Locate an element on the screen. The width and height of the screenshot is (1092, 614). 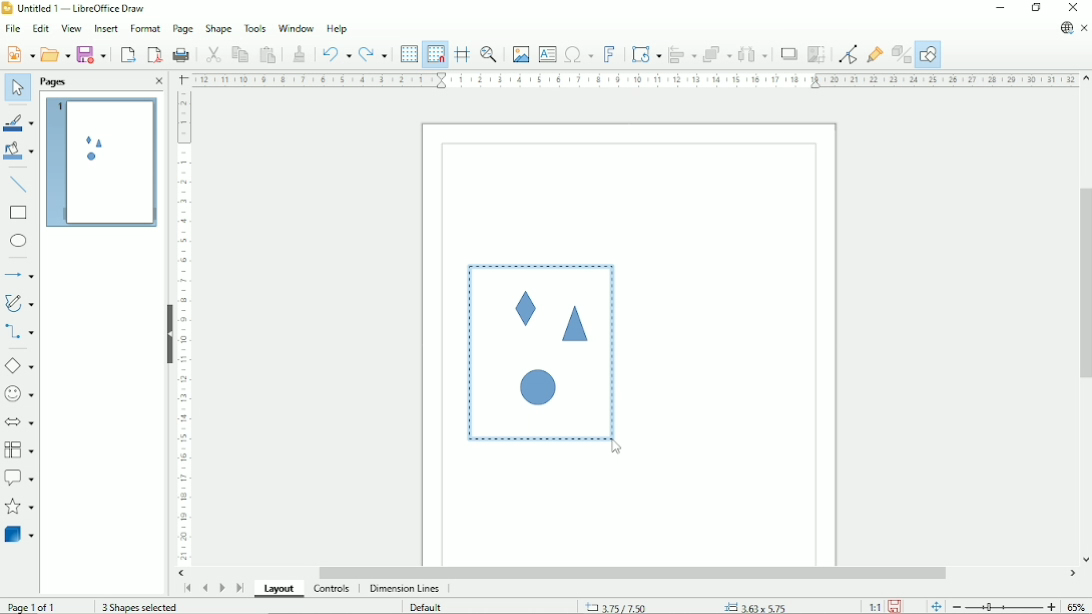
Paste is located at coordinates (268, 53).